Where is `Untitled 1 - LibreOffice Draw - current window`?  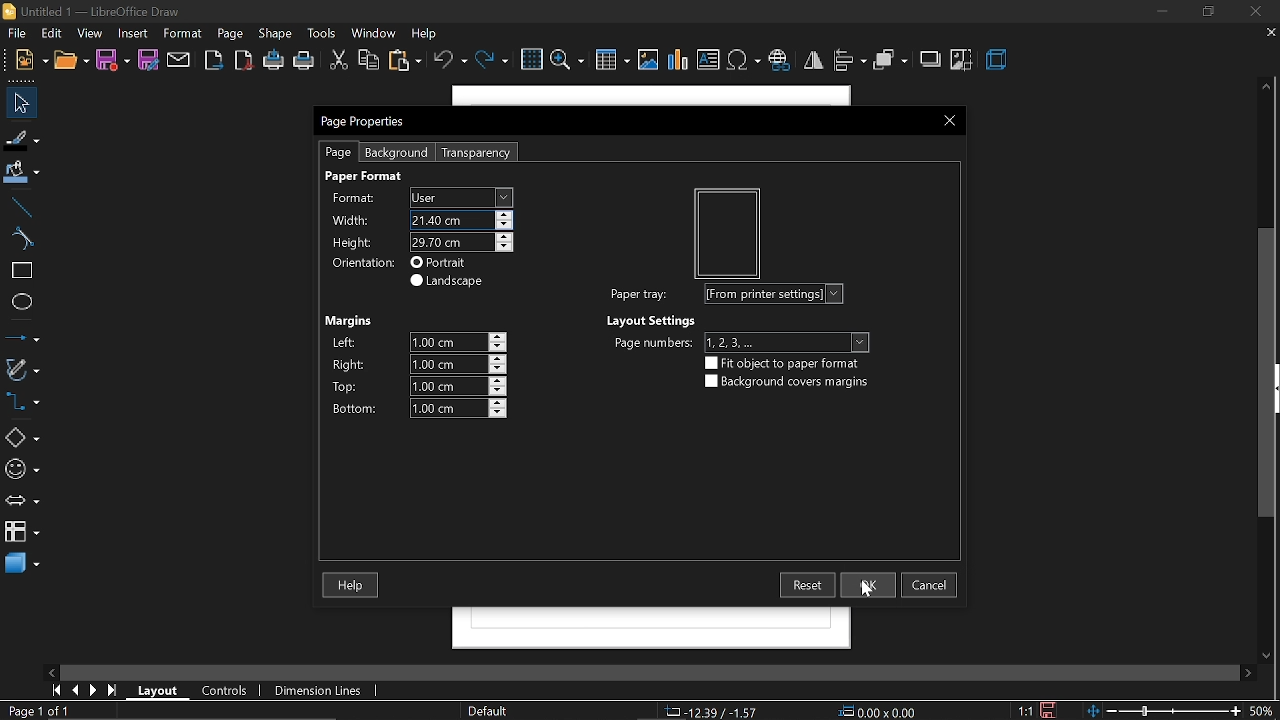
Untitled 1 - LibreOffice Draw - current window is located at coordinates (90, 13).